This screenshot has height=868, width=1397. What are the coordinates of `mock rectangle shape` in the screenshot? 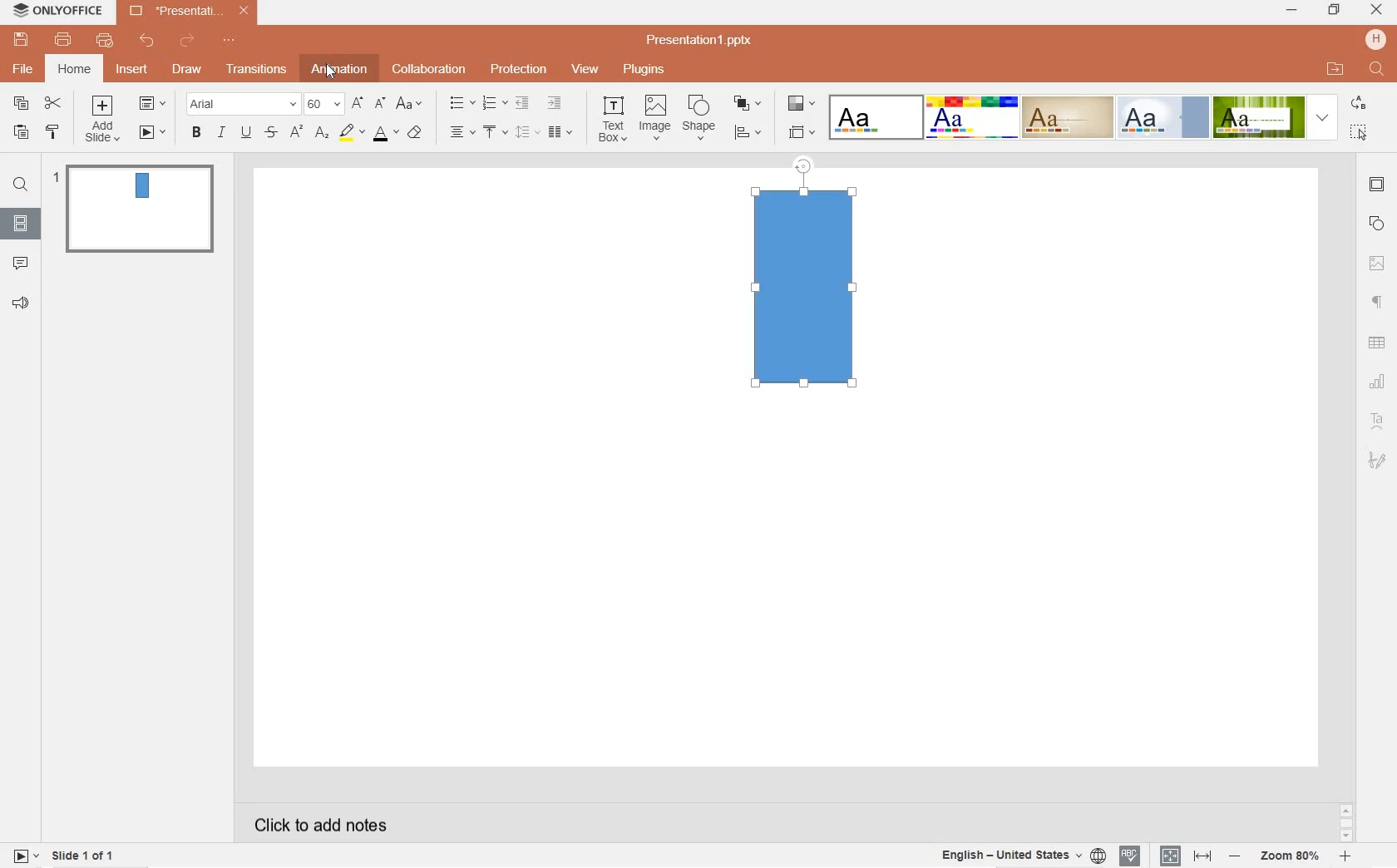 It's located at (807, 294).